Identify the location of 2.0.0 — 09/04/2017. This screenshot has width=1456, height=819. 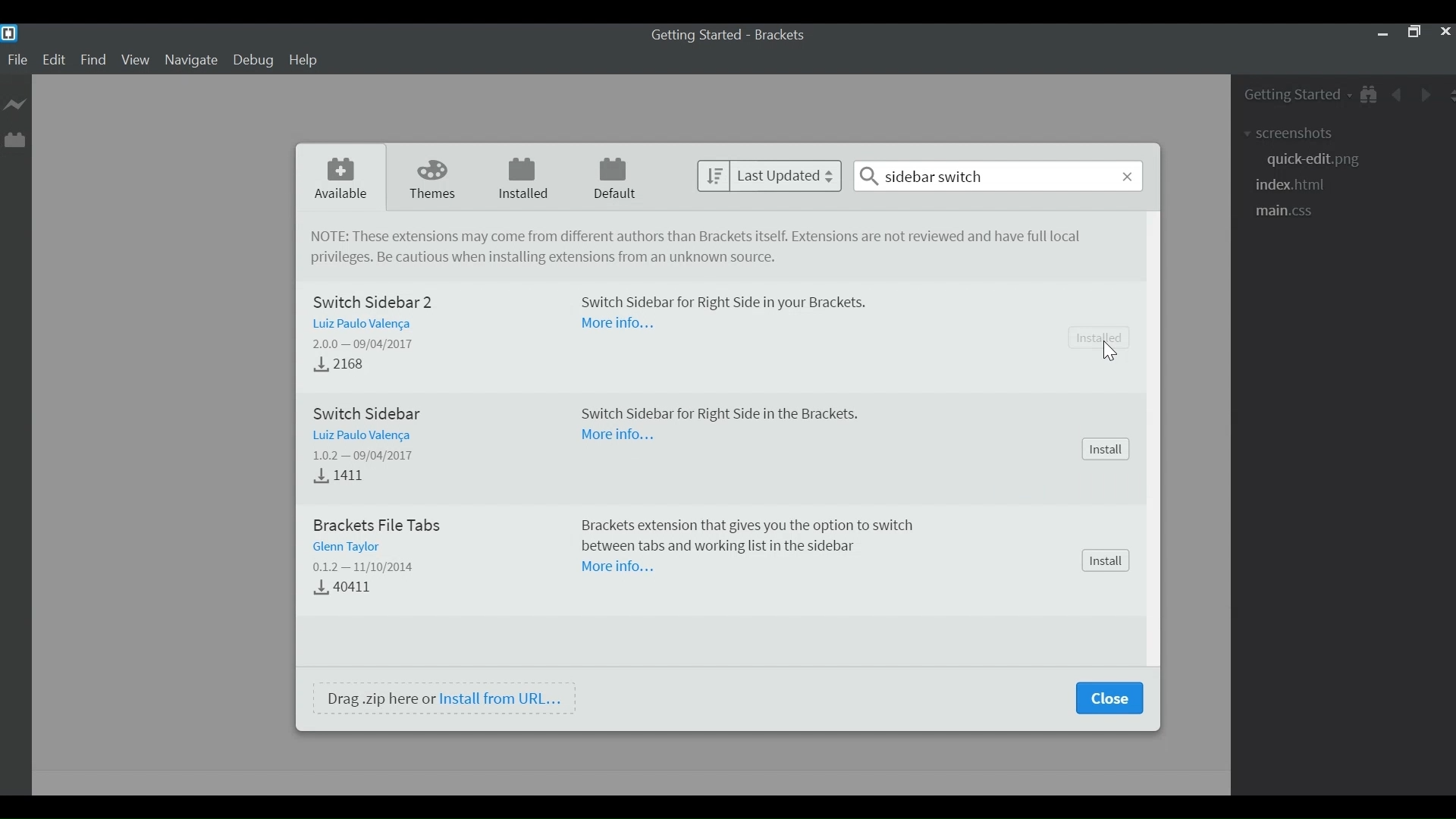
(372, 345).